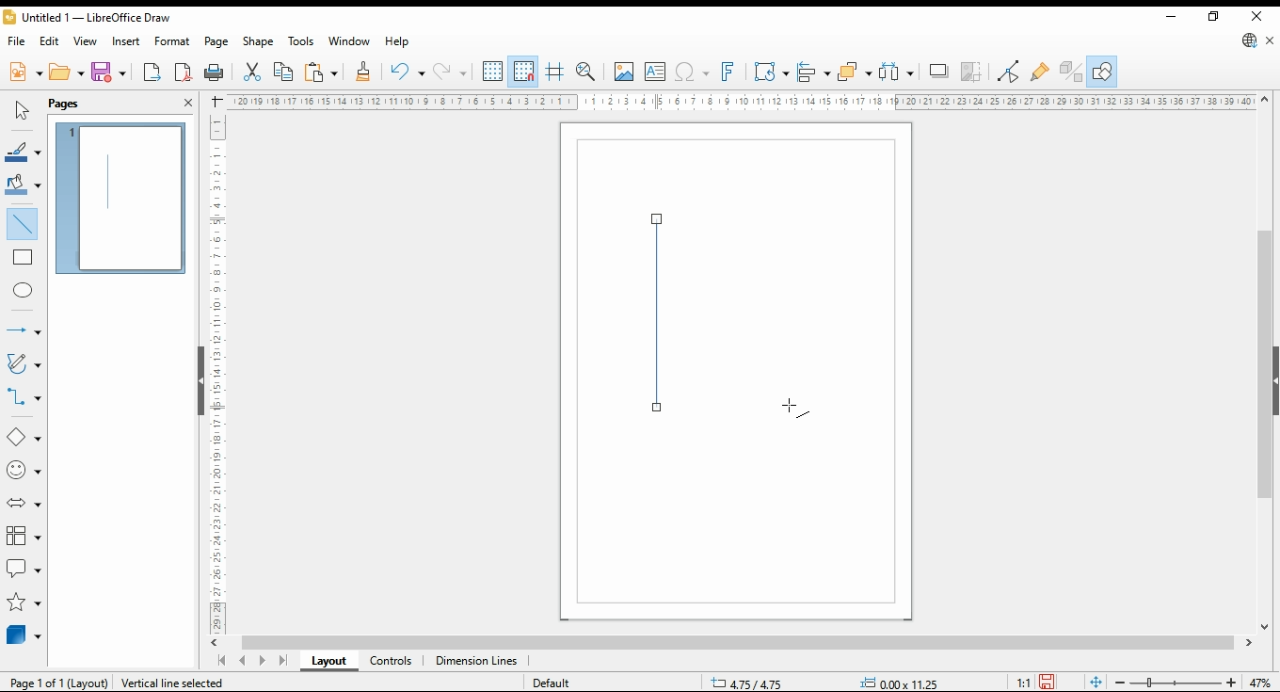  What do you see at coordinates (17, 42) in the screenshot?
I see `file` at bounding box center [17, 42].